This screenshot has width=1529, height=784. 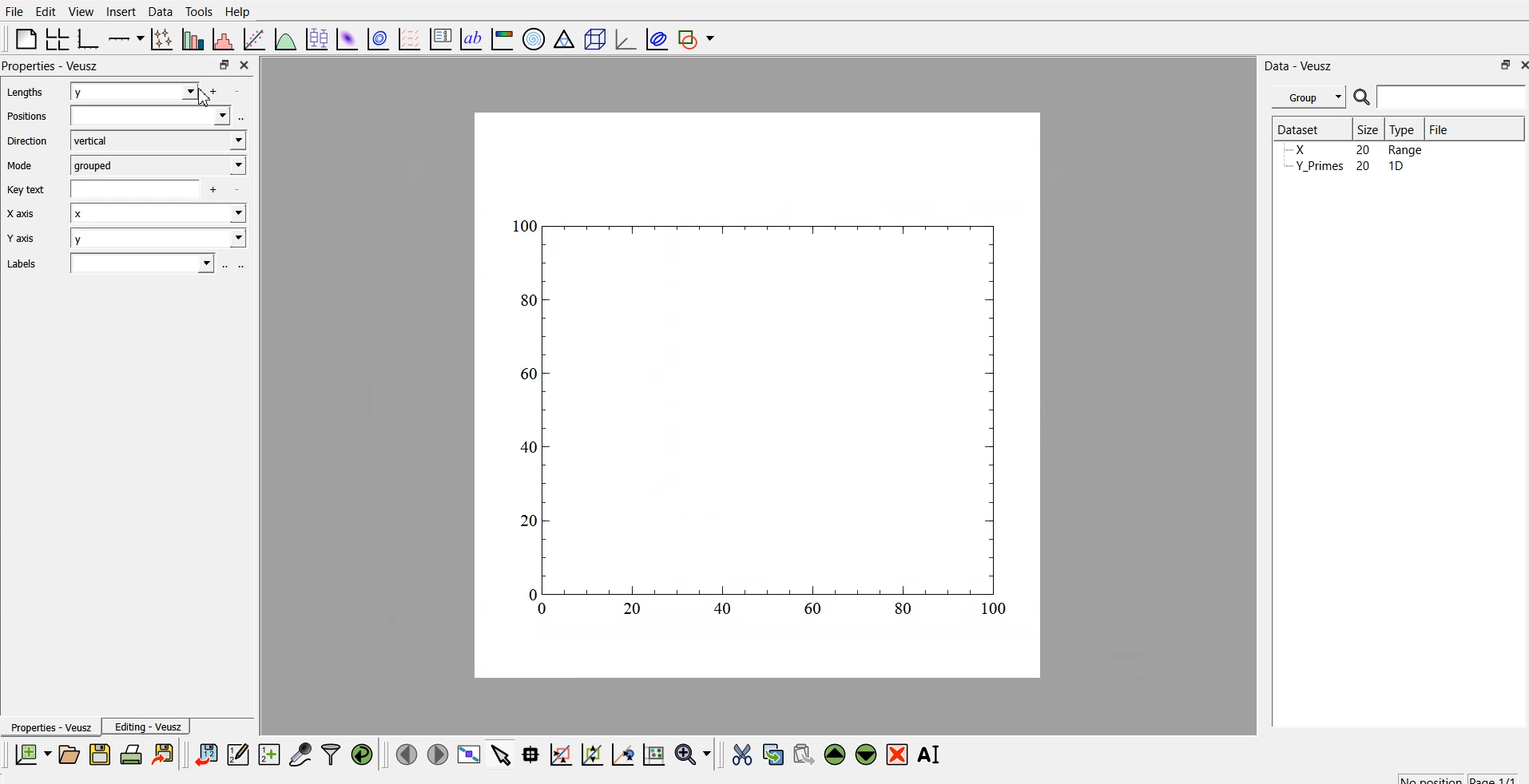 I want to click on move down the widget , so click(x=864, y=754).